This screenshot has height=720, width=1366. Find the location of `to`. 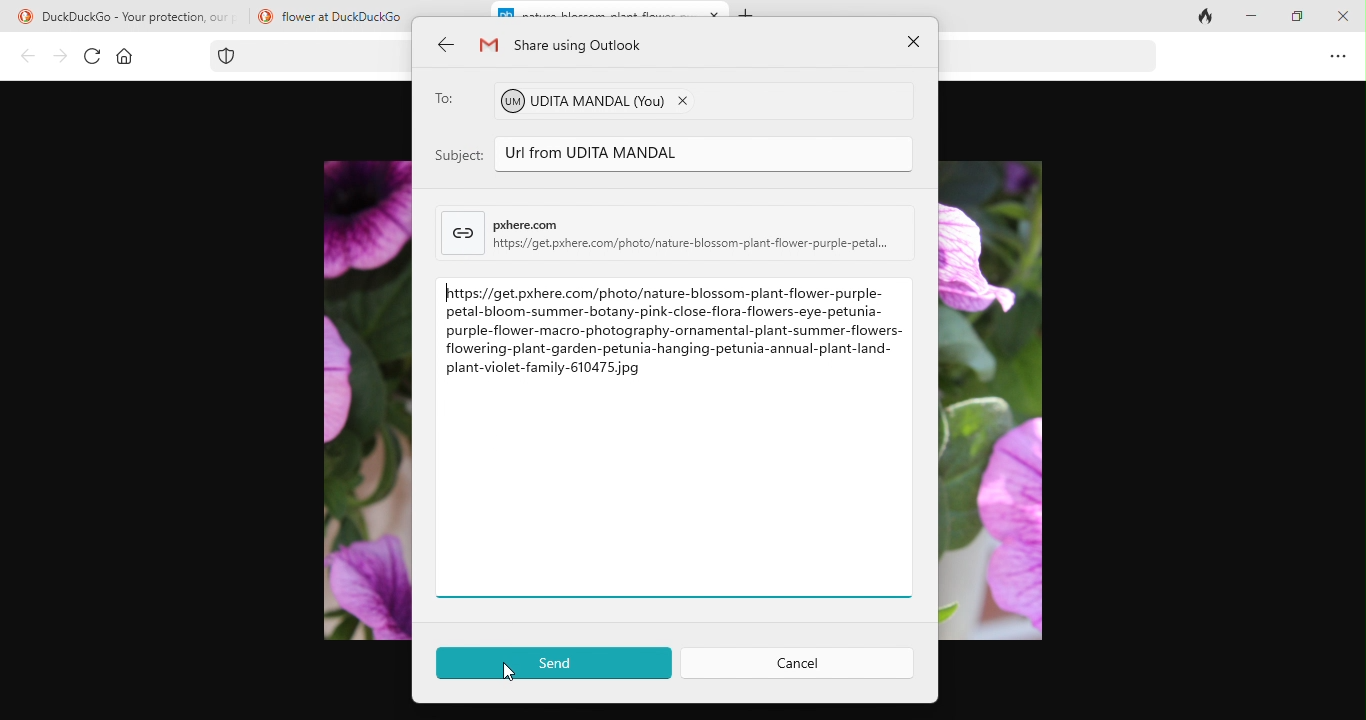

to is located at coordinates (454, 103).